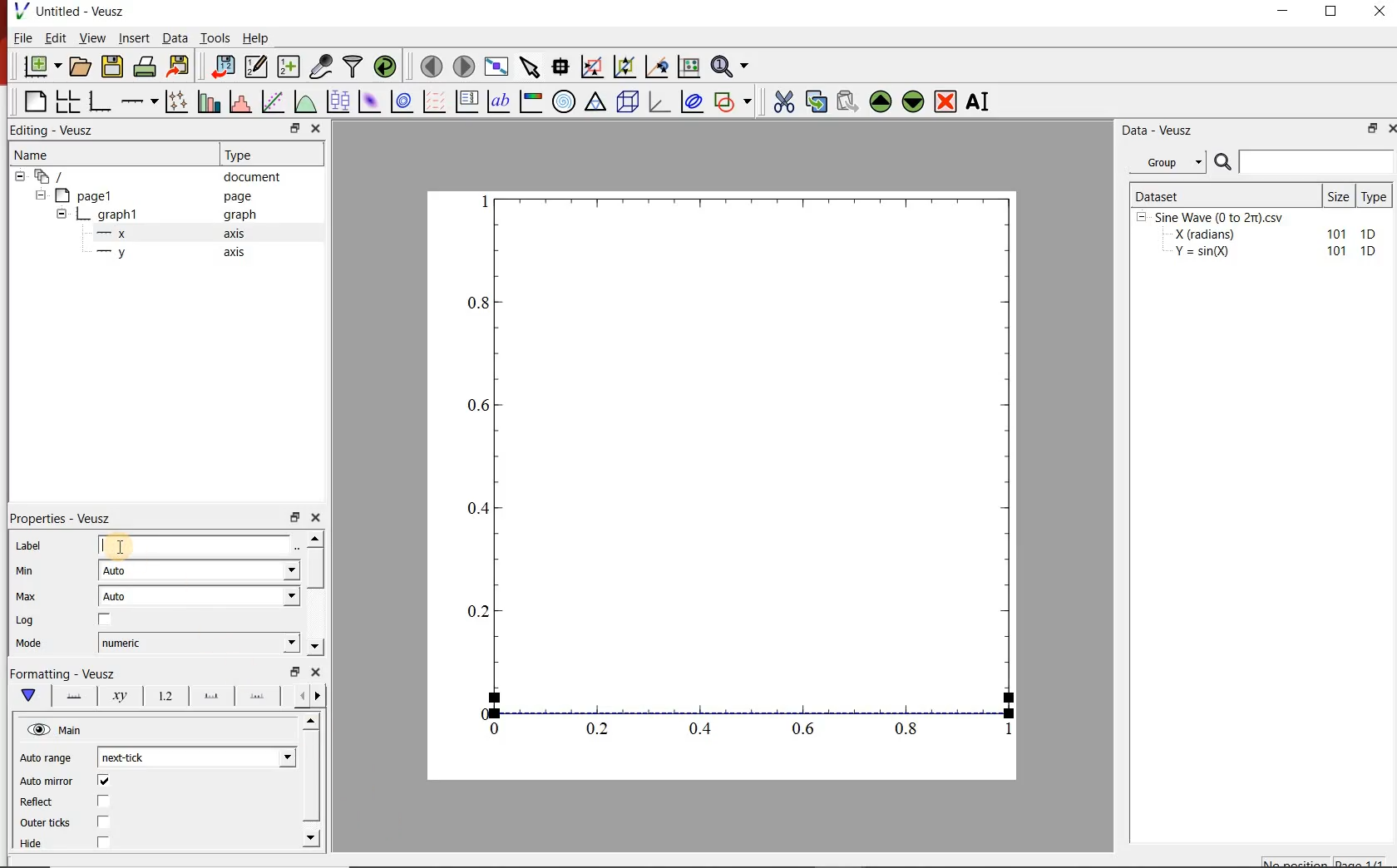 The image size is (1397, 868). I want to click on go to next page, so click(464, 65).